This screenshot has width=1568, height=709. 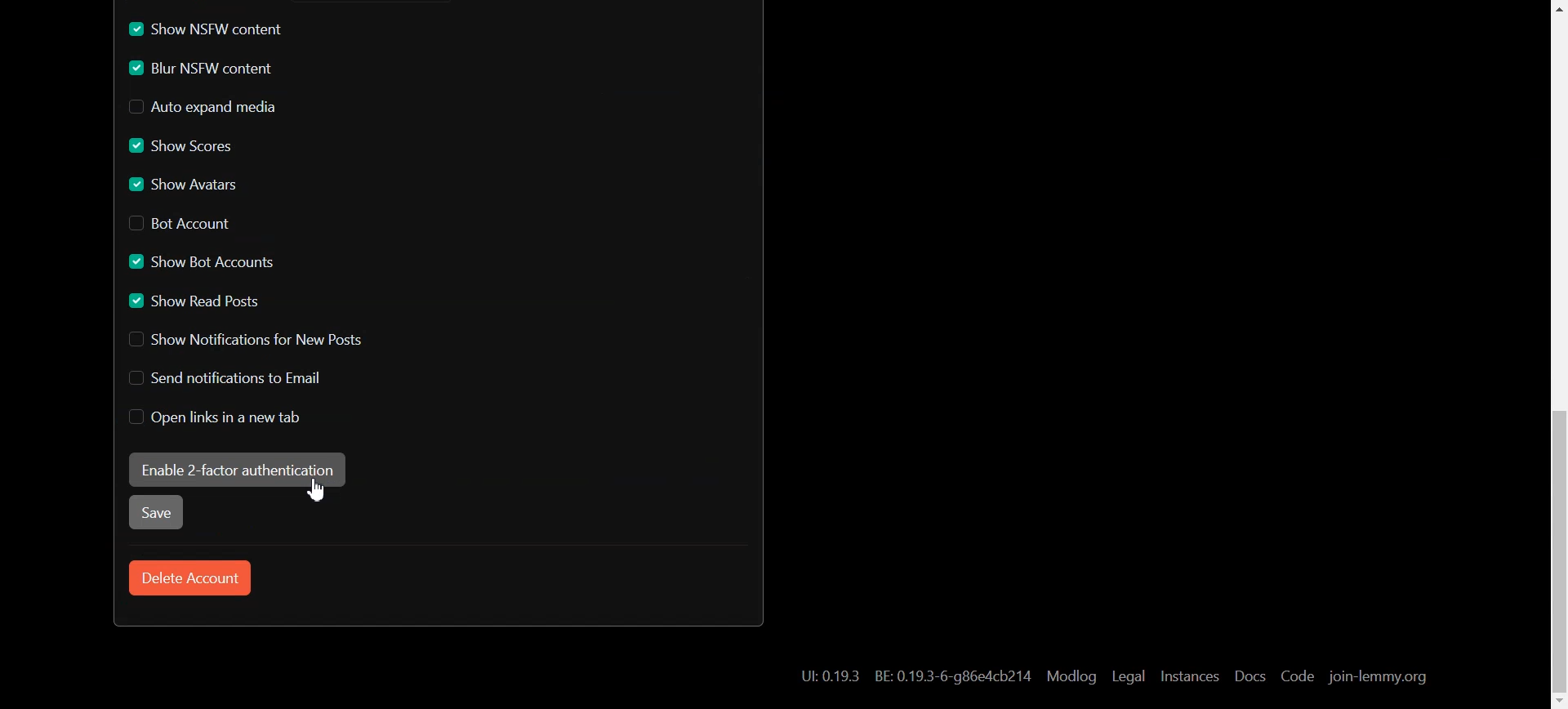 What do you see at coordinates (229, 69) in the screenshot?
I see `Enable Blur NSFW content` at bounding box center [229, 69].